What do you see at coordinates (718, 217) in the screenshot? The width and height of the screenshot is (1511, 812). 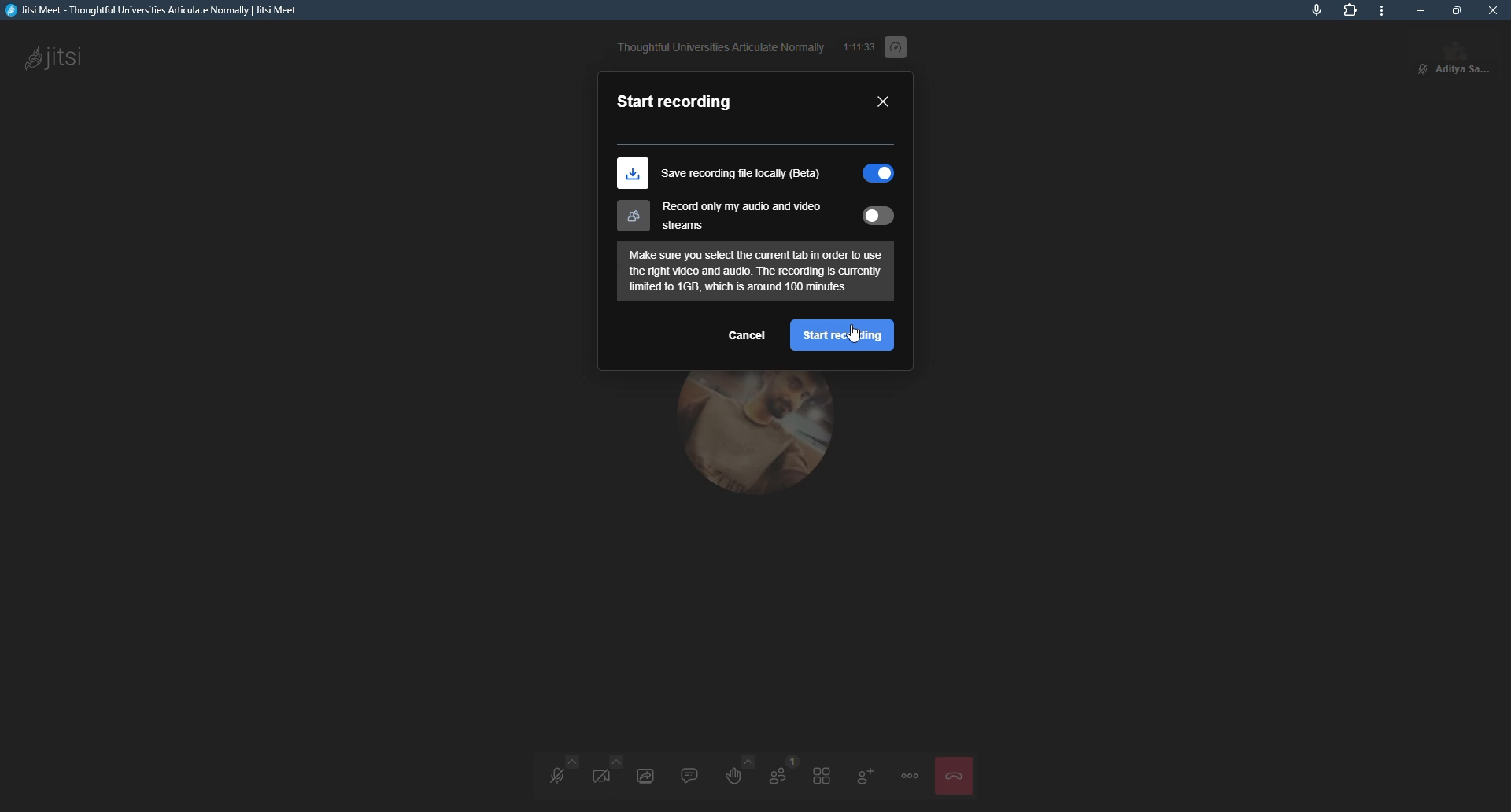 I see `record only audio video stream` at bounding box center [718, 217].